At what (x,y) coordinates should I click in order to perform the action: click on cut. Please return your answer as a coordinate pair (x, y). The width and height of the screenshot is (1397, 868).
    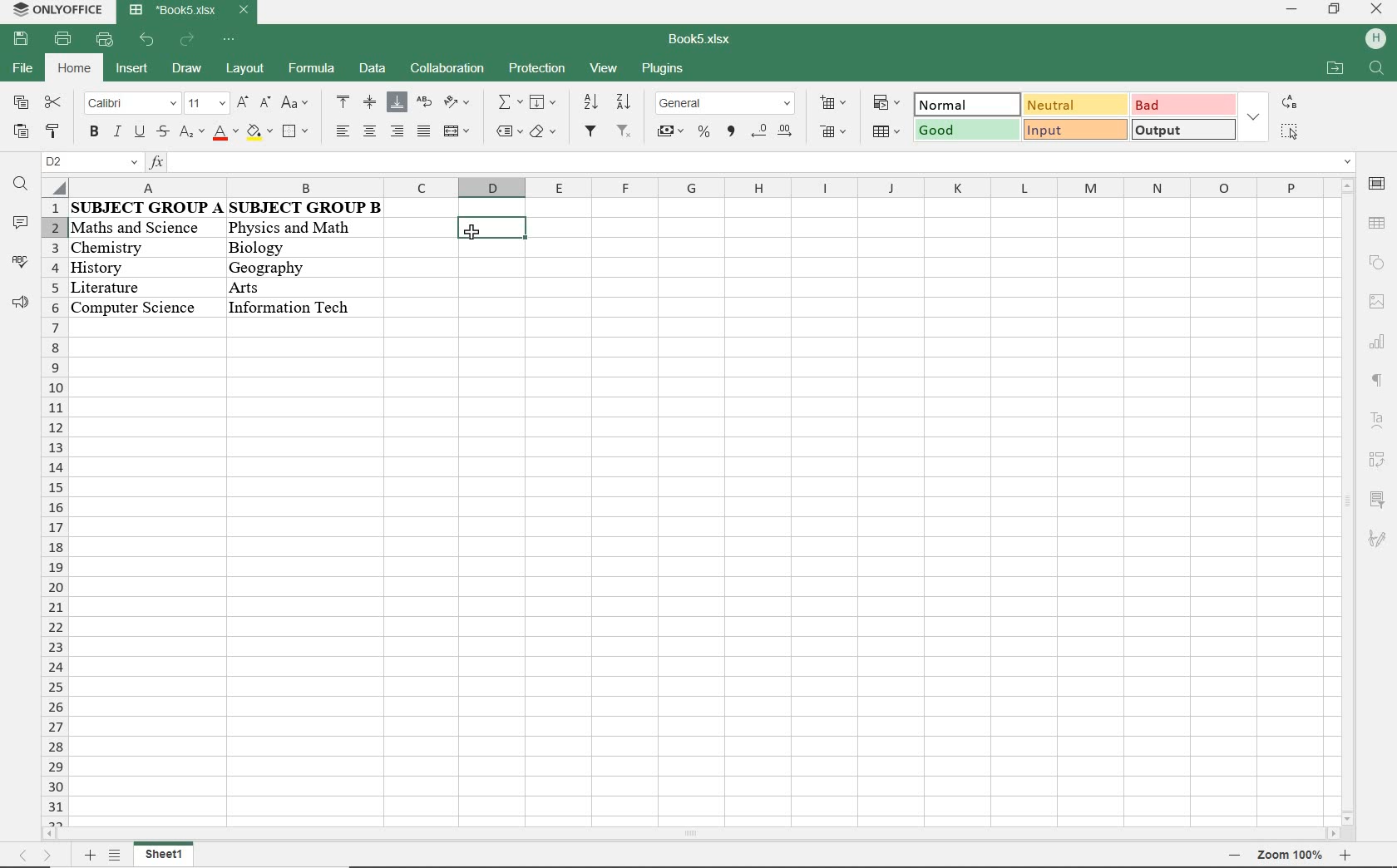
    Looking at the image, I should click on (53, 101).